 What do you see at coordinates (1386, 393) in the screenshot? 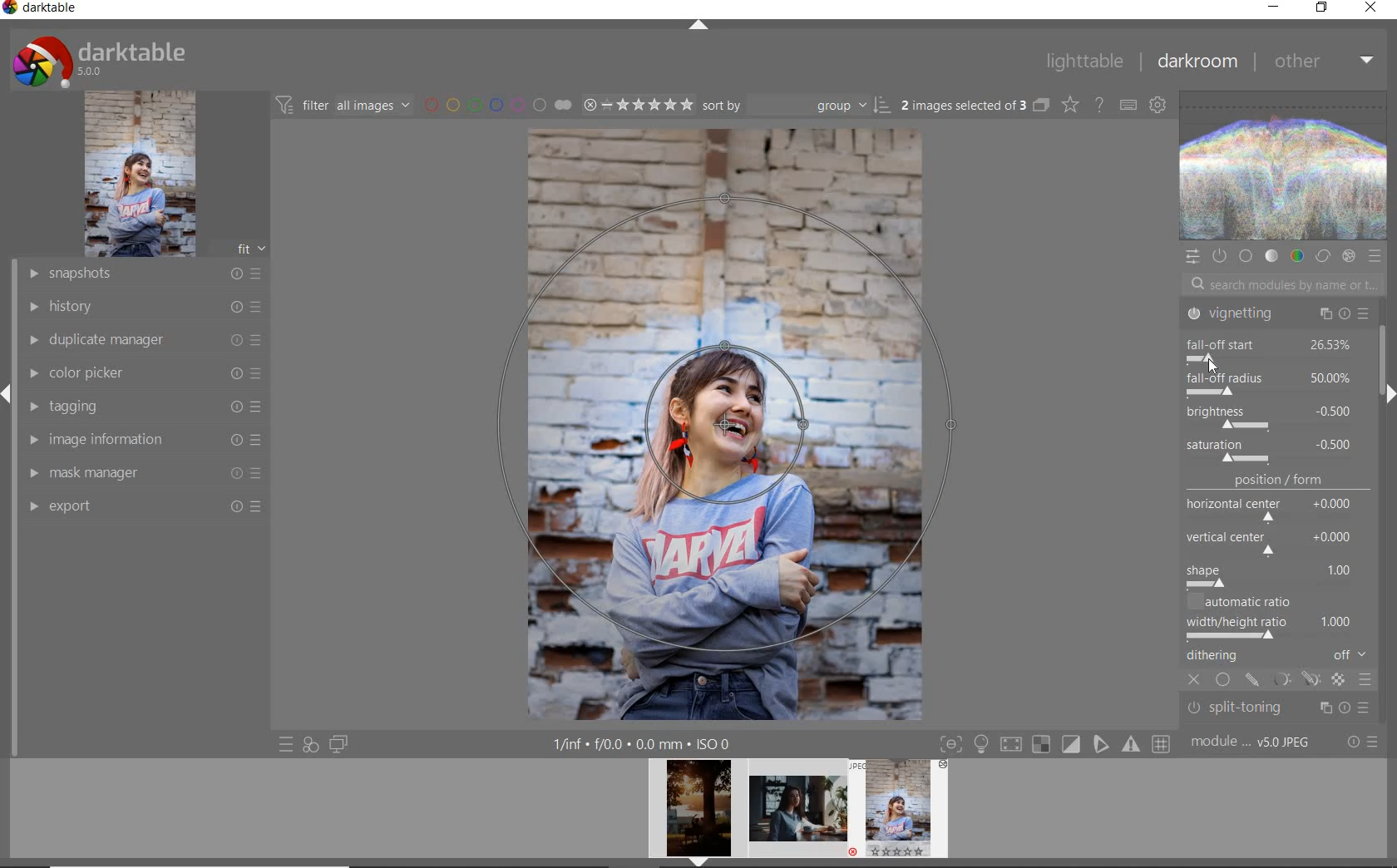
I see `expand/collapse` at bounding box center [1386, 393].